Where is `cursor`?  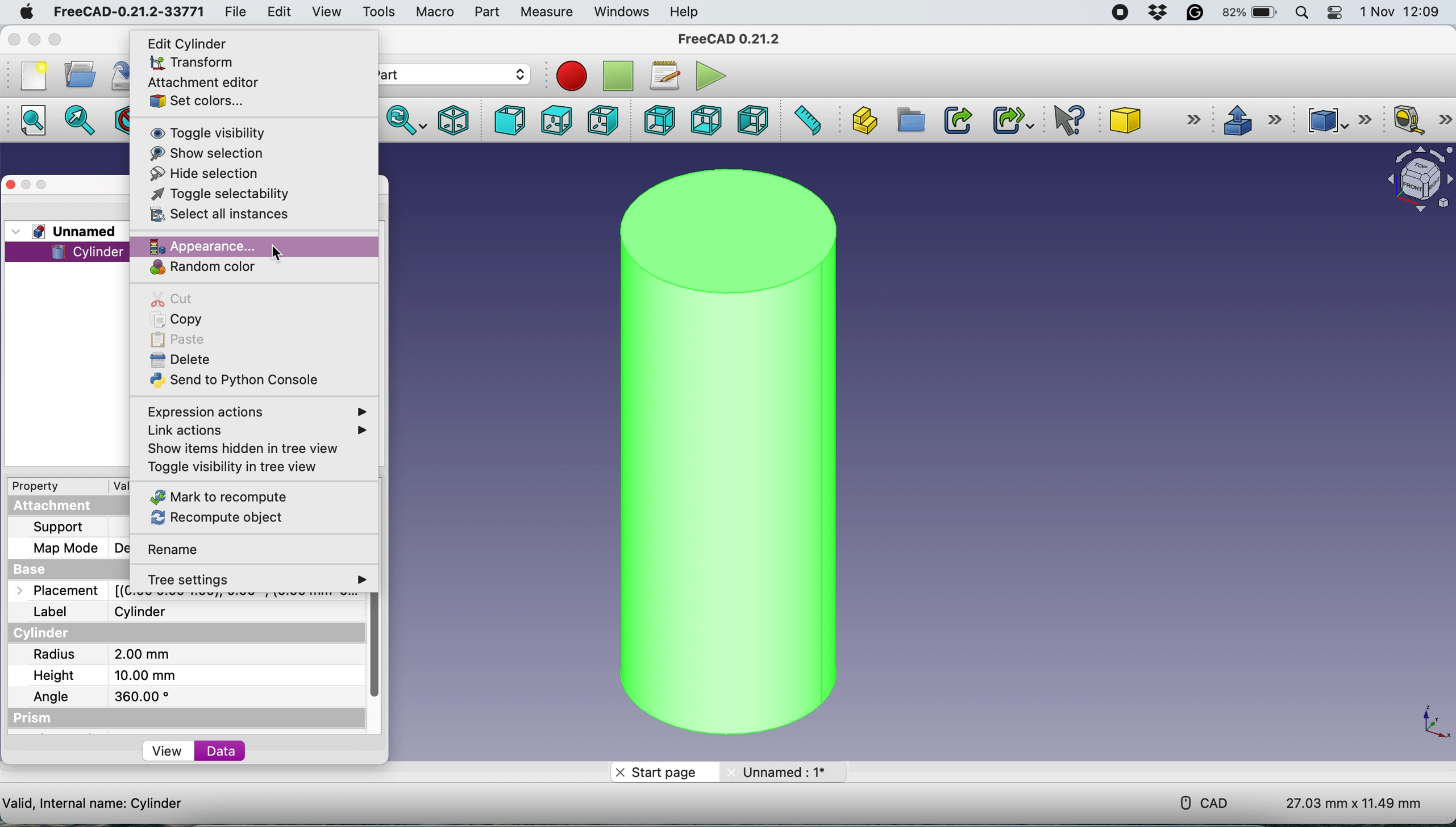
cursor is located at coordinates (280, 254).